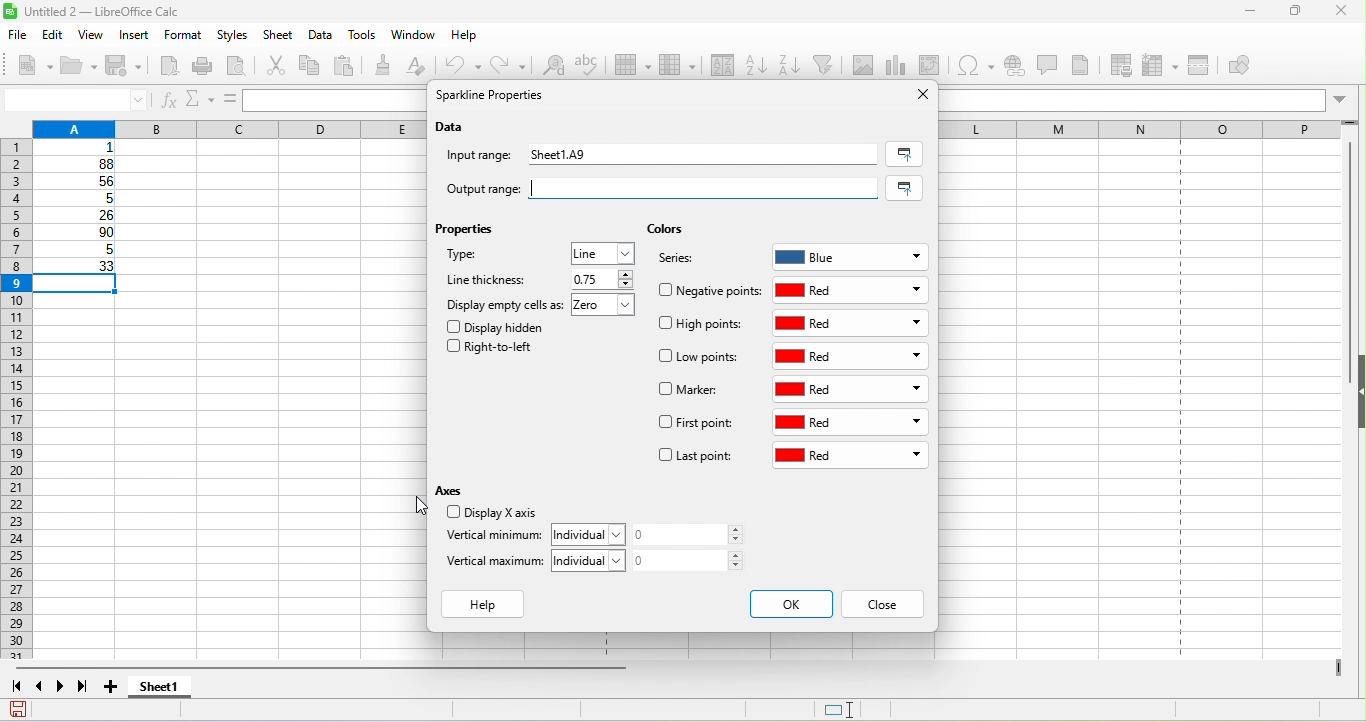  What do you see at coordinates (1016, 68) in the screenshot?
I see `hyperlink` at bounding box center [1016, 68].